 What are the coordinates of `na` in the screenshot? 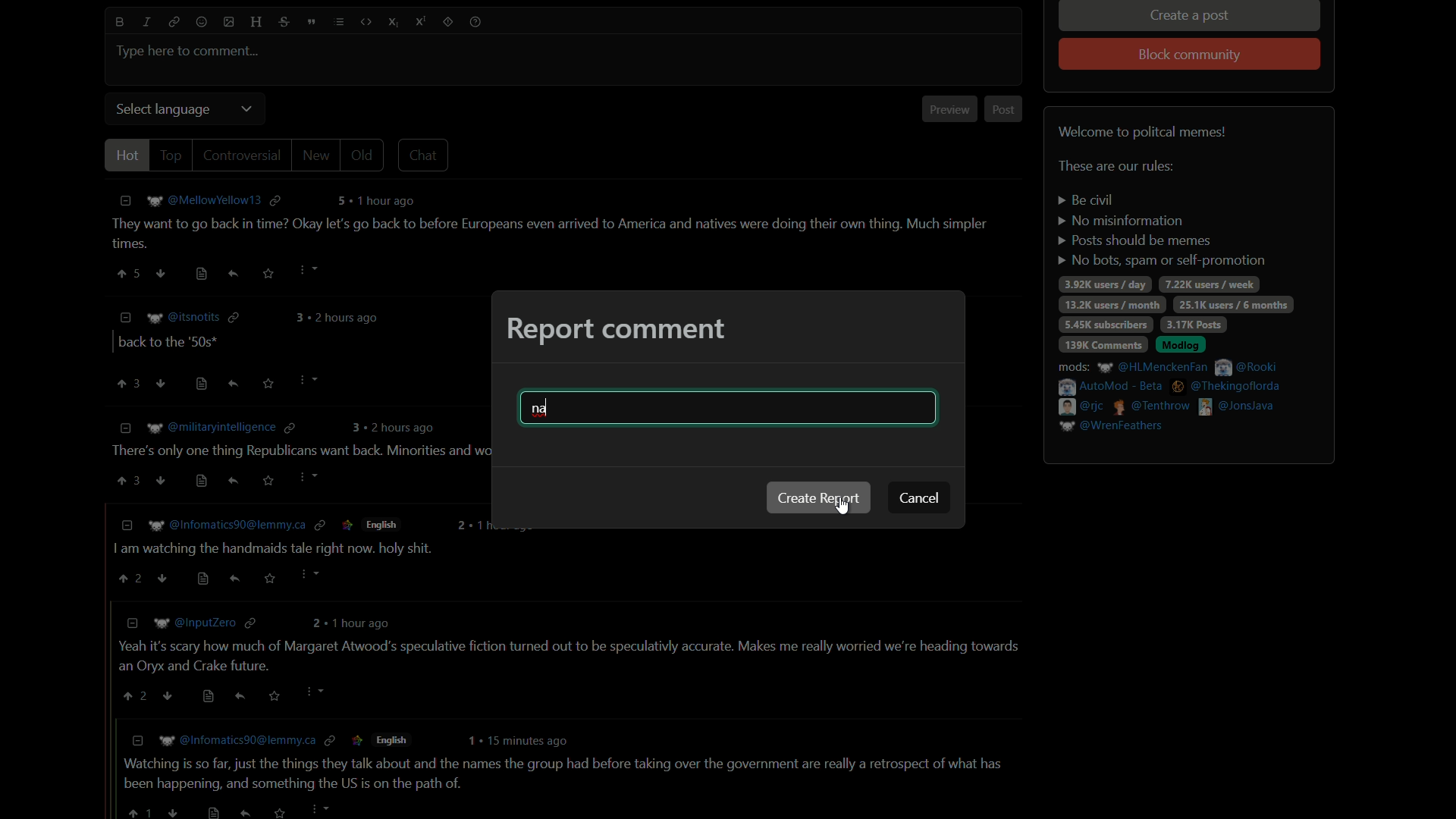 It's located at (544, 408).